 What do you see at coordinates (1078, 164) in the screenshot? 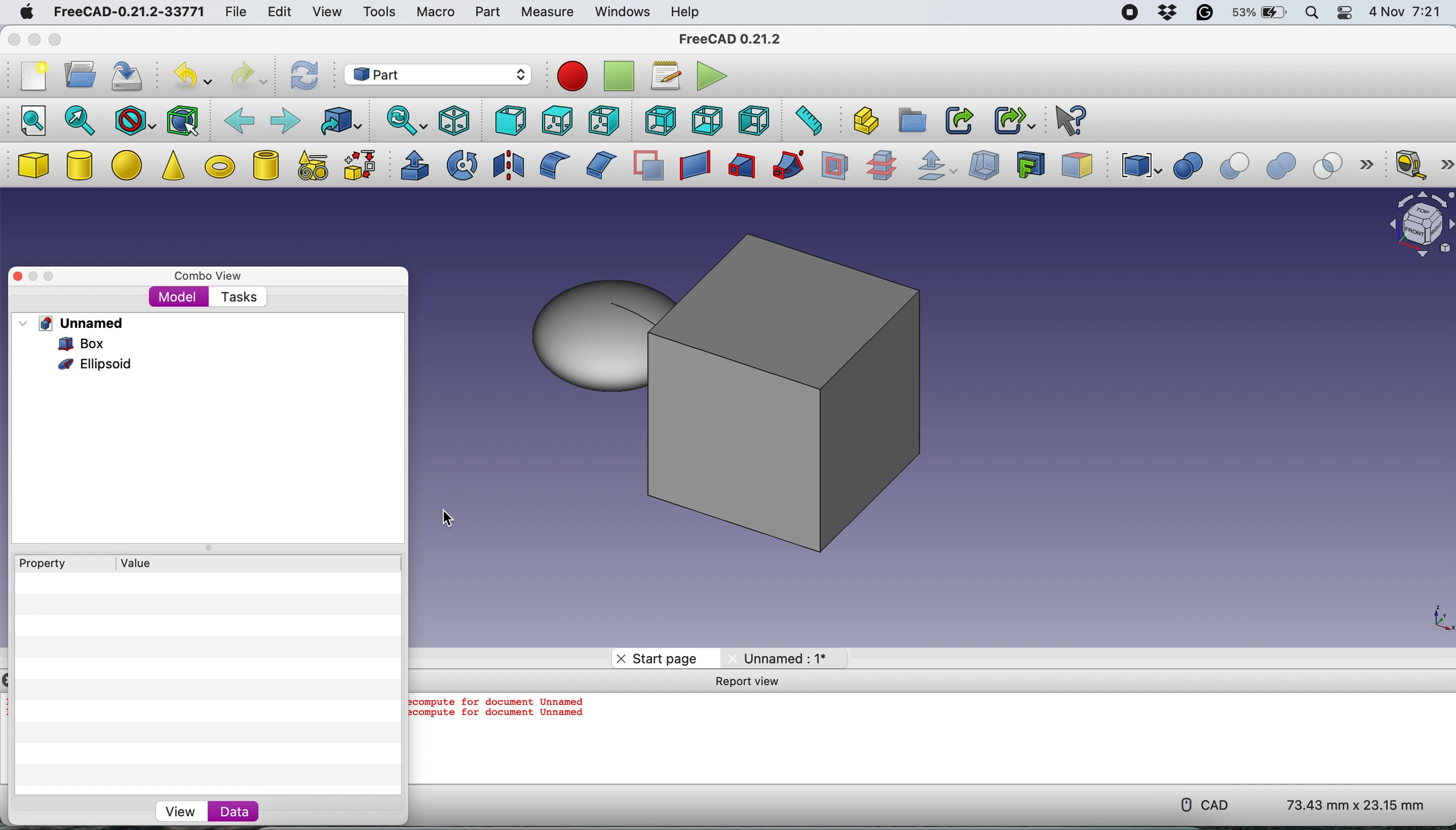
I see `color per face` at bounding box center [1078, 164].